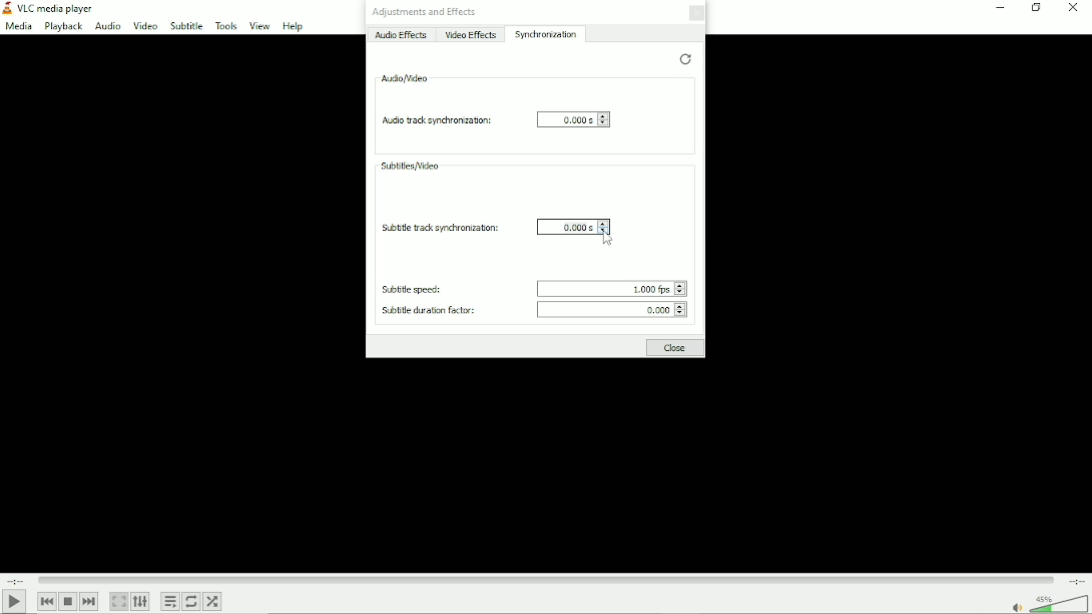 Image resolution: width=1092 pixels, height=614 pixels. Describe the element at coordinates (547, 34) in the screenshot. I see `Synchronization` at that location.